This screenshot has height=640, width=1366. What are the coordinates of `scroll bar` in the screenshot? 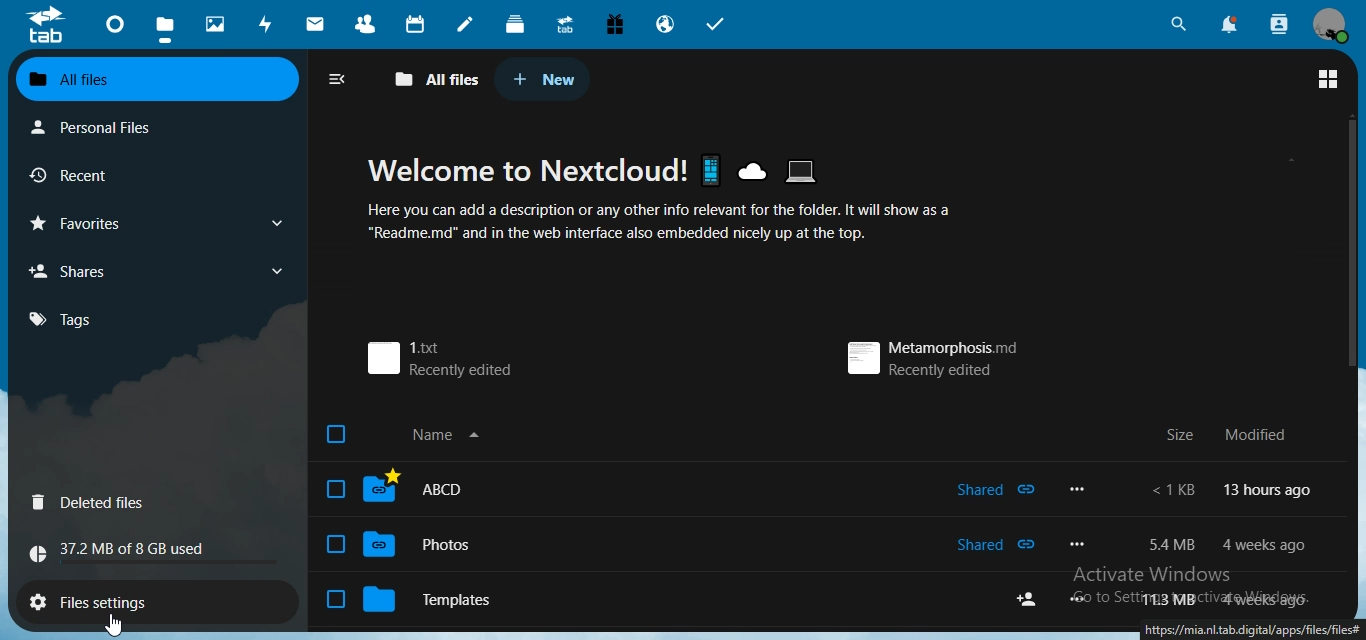 It's located at (1349, 238).